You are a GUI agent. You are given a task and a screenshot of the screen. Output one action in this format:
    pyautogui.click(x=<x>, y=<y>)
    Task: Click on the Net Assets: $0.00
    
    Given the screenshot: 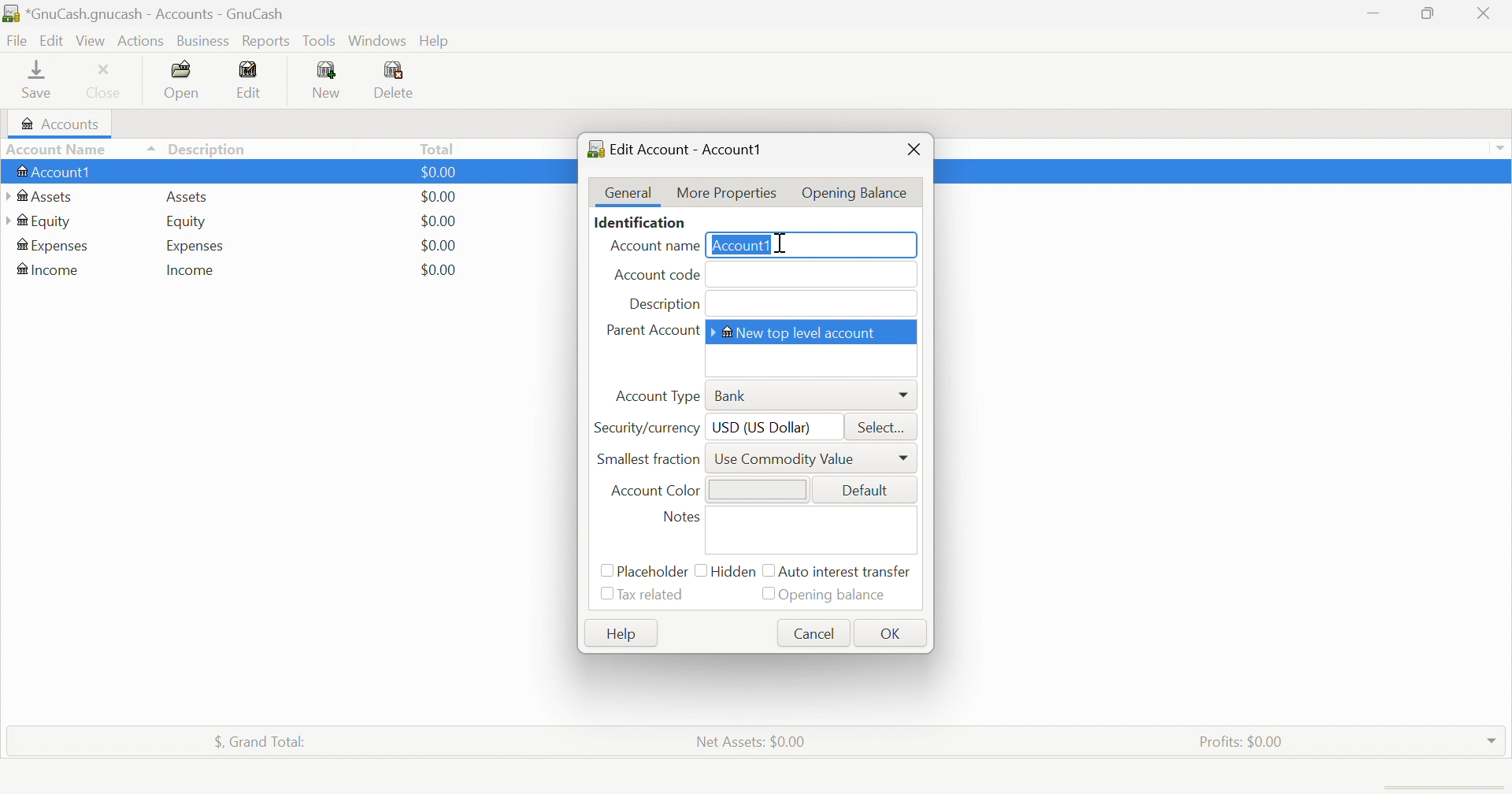 What is the action you would take?
    pyautogui.click(x=755, y=741)
    